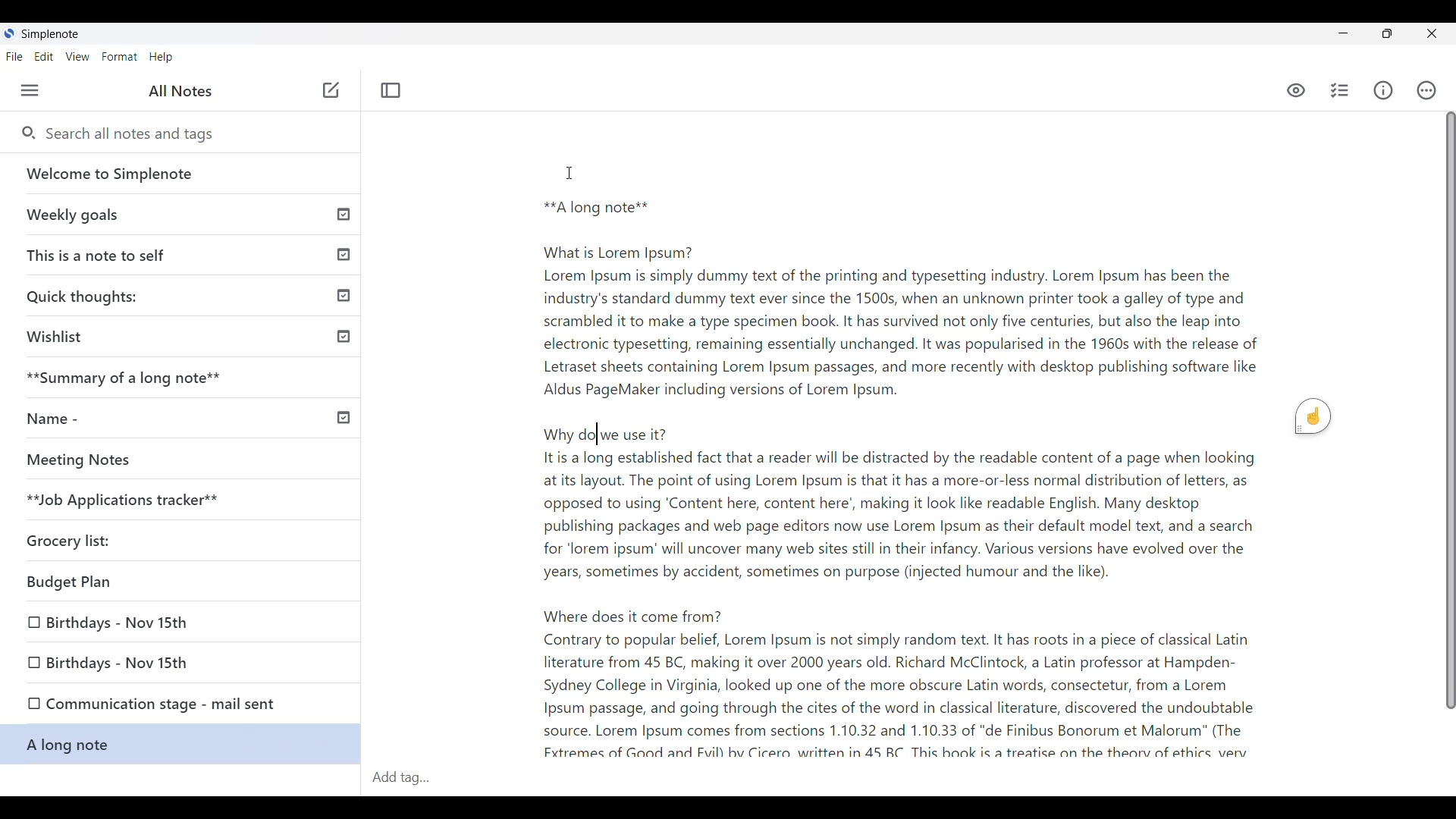  Describe the element at coordinates (184, 378) in the screenshot. I see `Summary of a long note` at that location.